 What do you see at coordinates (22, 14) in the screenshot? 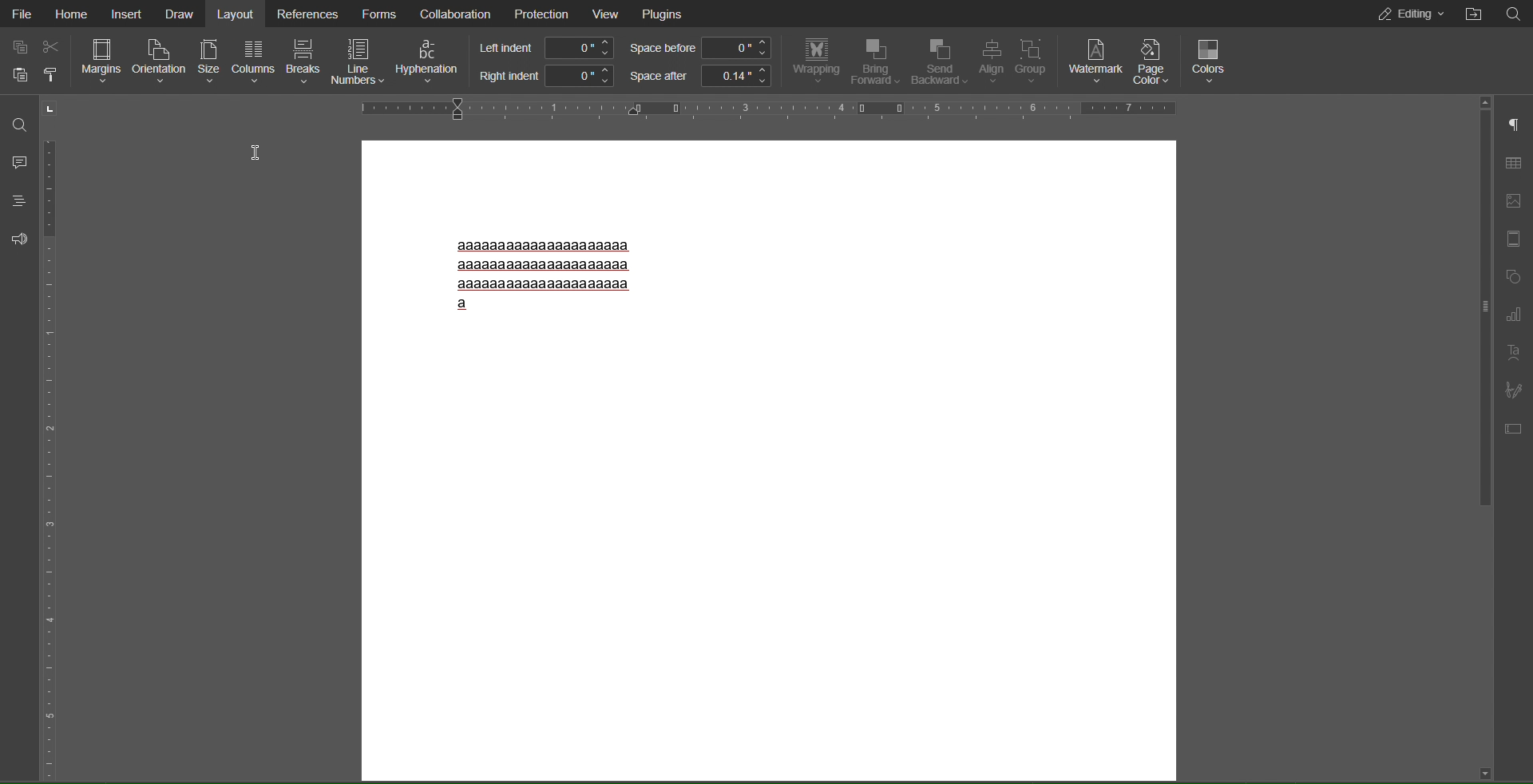
I see `File` at bounding box center [22, 14].